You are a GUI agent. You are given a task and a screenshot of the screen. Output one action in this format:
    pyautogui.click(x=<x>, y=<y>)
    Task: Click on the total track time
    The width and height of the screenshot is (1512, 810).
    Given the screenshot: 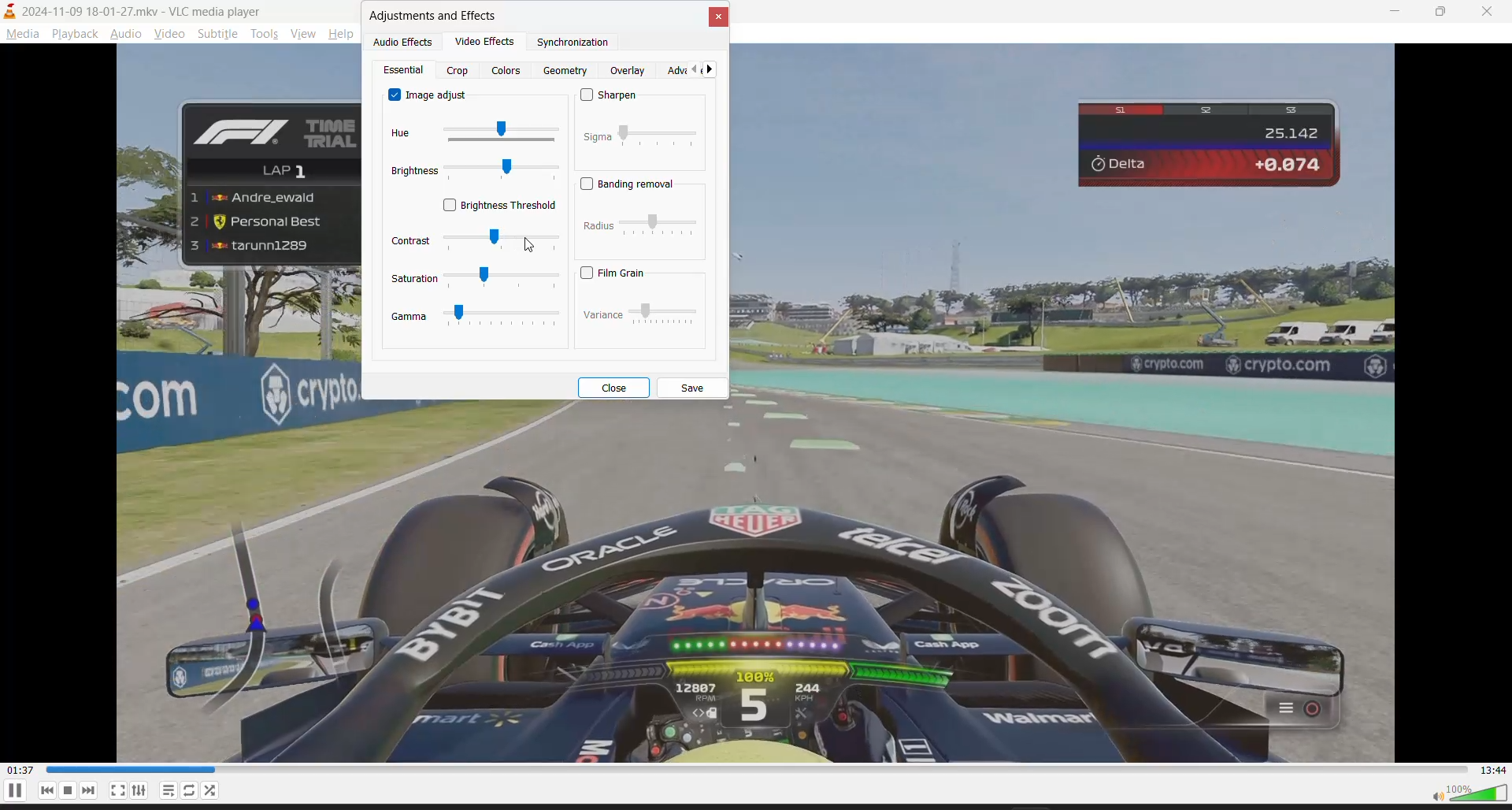 What is the action you would take?
    pyautogui.click(x=1497, y=771)
    